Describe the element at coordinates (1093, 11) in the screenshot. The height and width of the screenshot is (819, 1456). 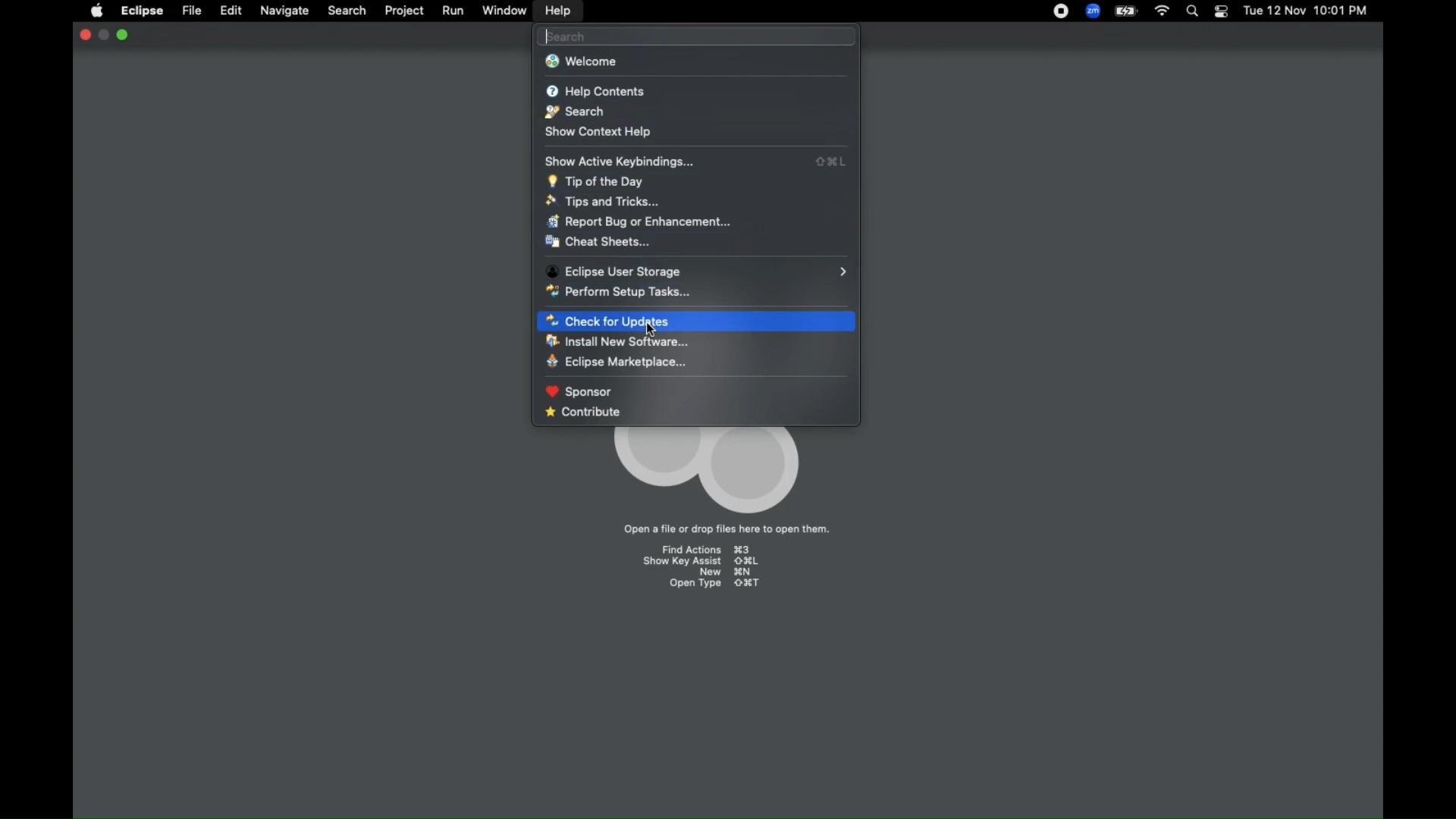
I see `Zoom Desktop Icon` at that location.